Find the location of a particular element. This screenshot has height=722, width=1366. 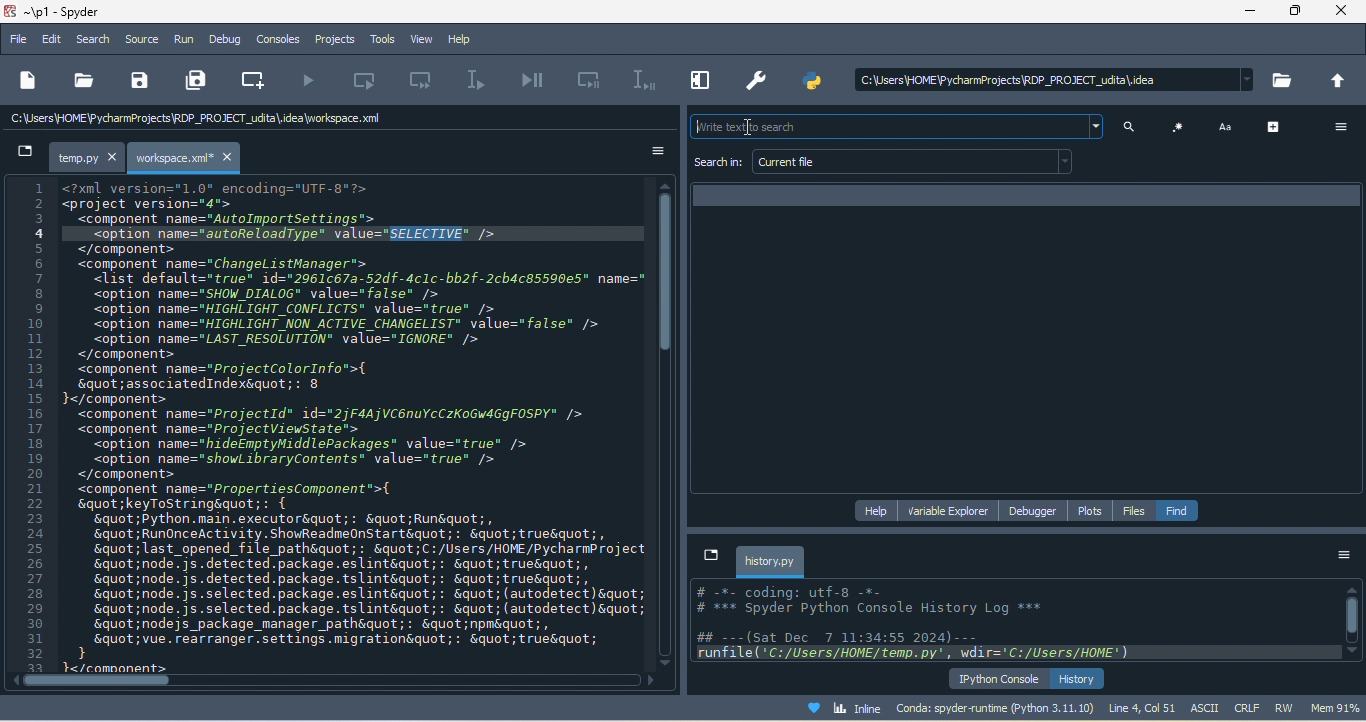

run is located at coordinates (185, 42).